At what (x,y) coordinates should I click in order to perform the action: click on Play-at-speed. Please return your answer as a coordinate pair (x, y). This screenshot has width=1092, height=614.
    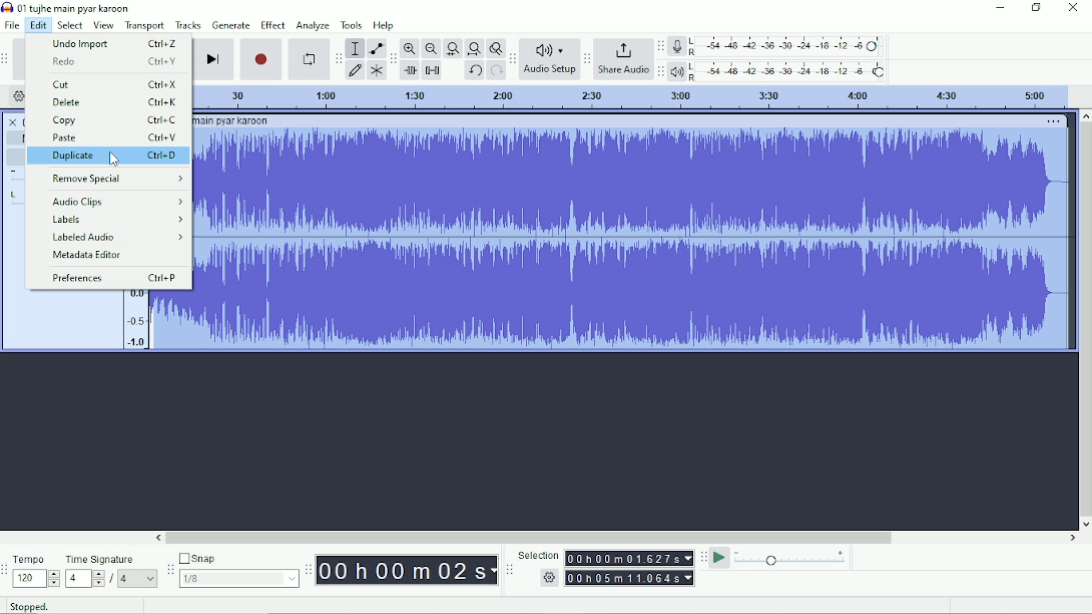
    Looking at the image, I should click on (720, 558).